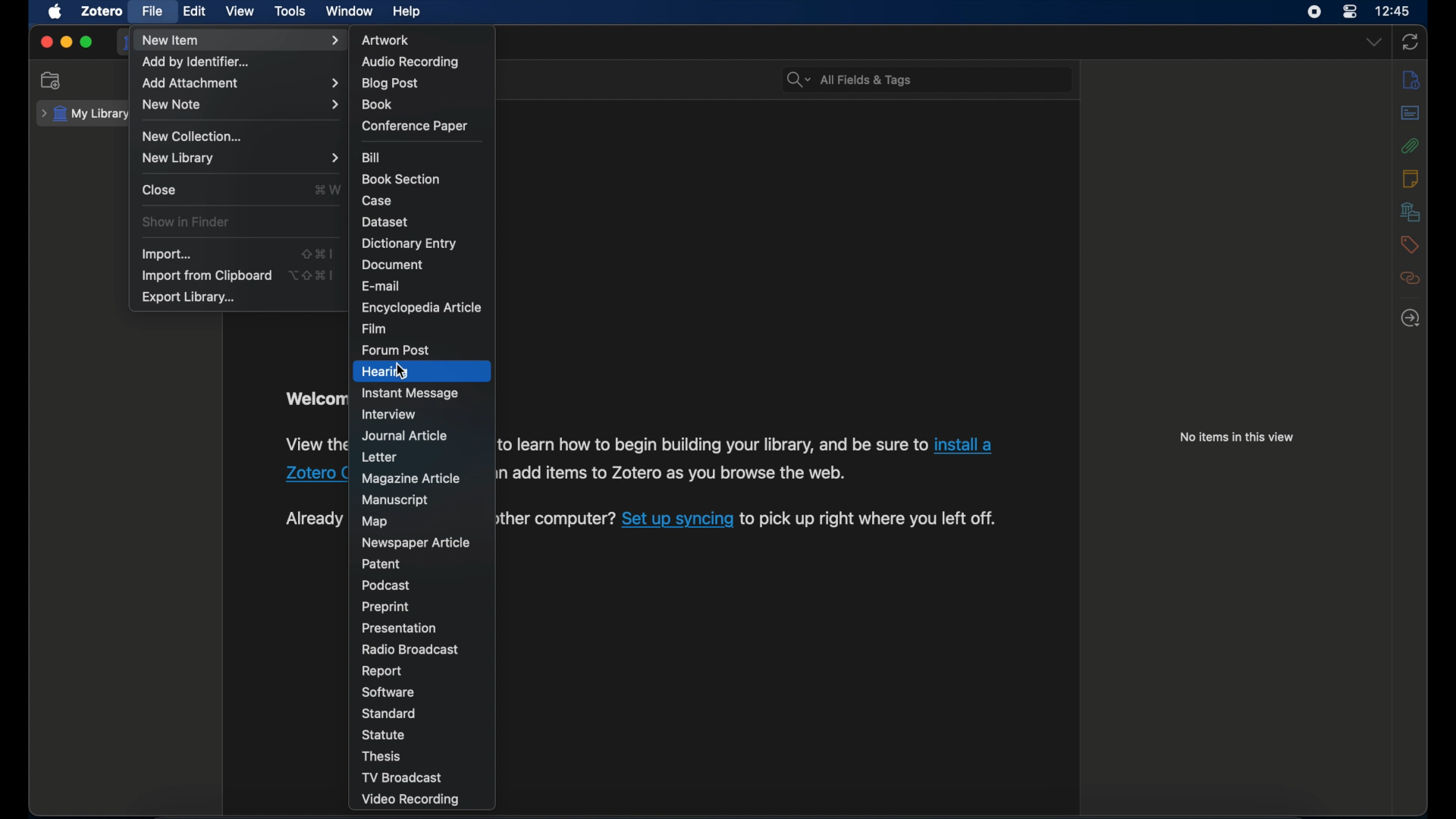 The width and height of the screenshot is (1456, 819). What do you see at coordinates (377, 201) in the screenshot?
I see `case` at bounding box center [377, 201].